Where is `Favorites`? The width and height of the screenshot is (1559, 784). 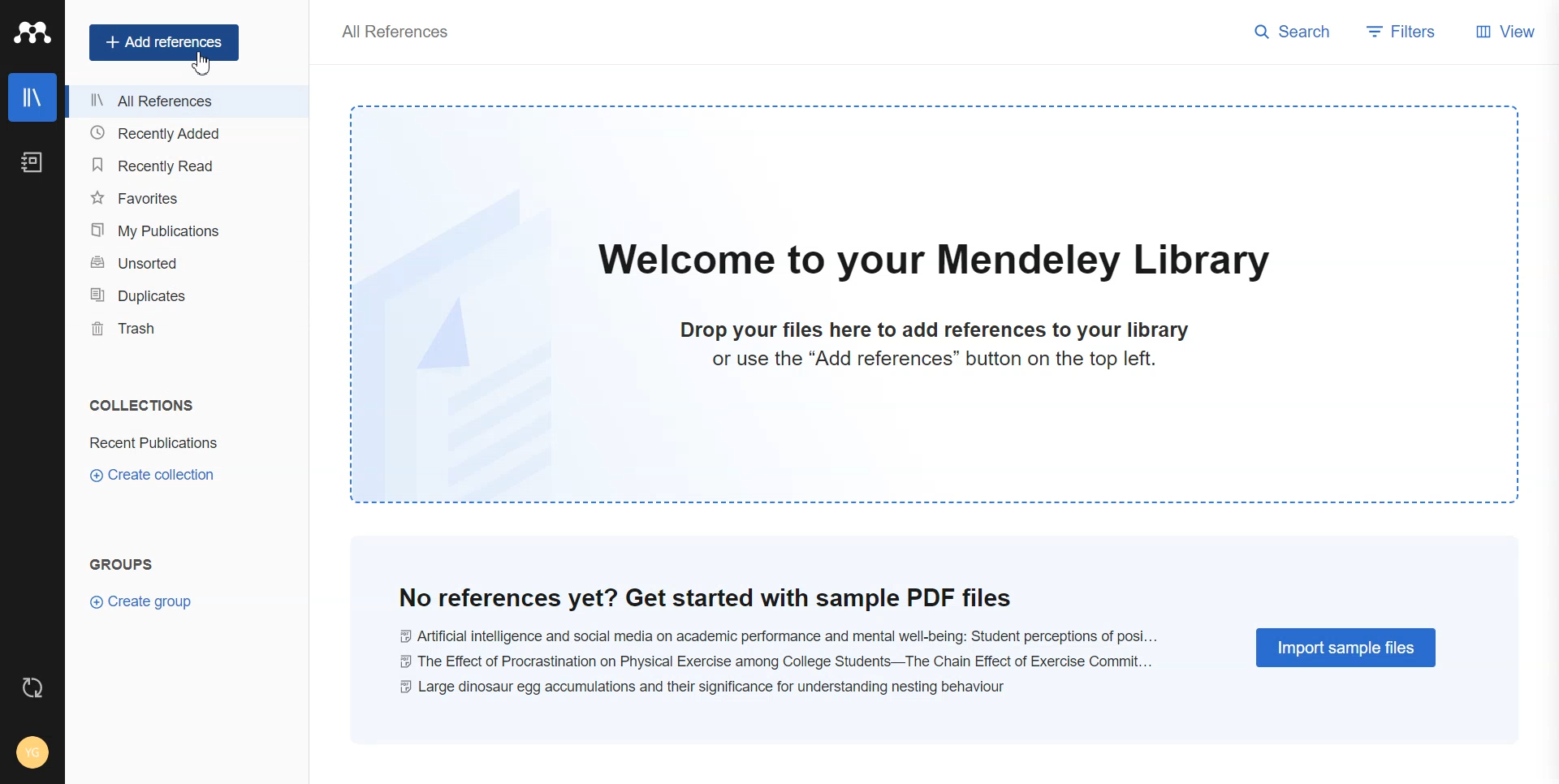
Favorites is located at coordinates (180, 196).